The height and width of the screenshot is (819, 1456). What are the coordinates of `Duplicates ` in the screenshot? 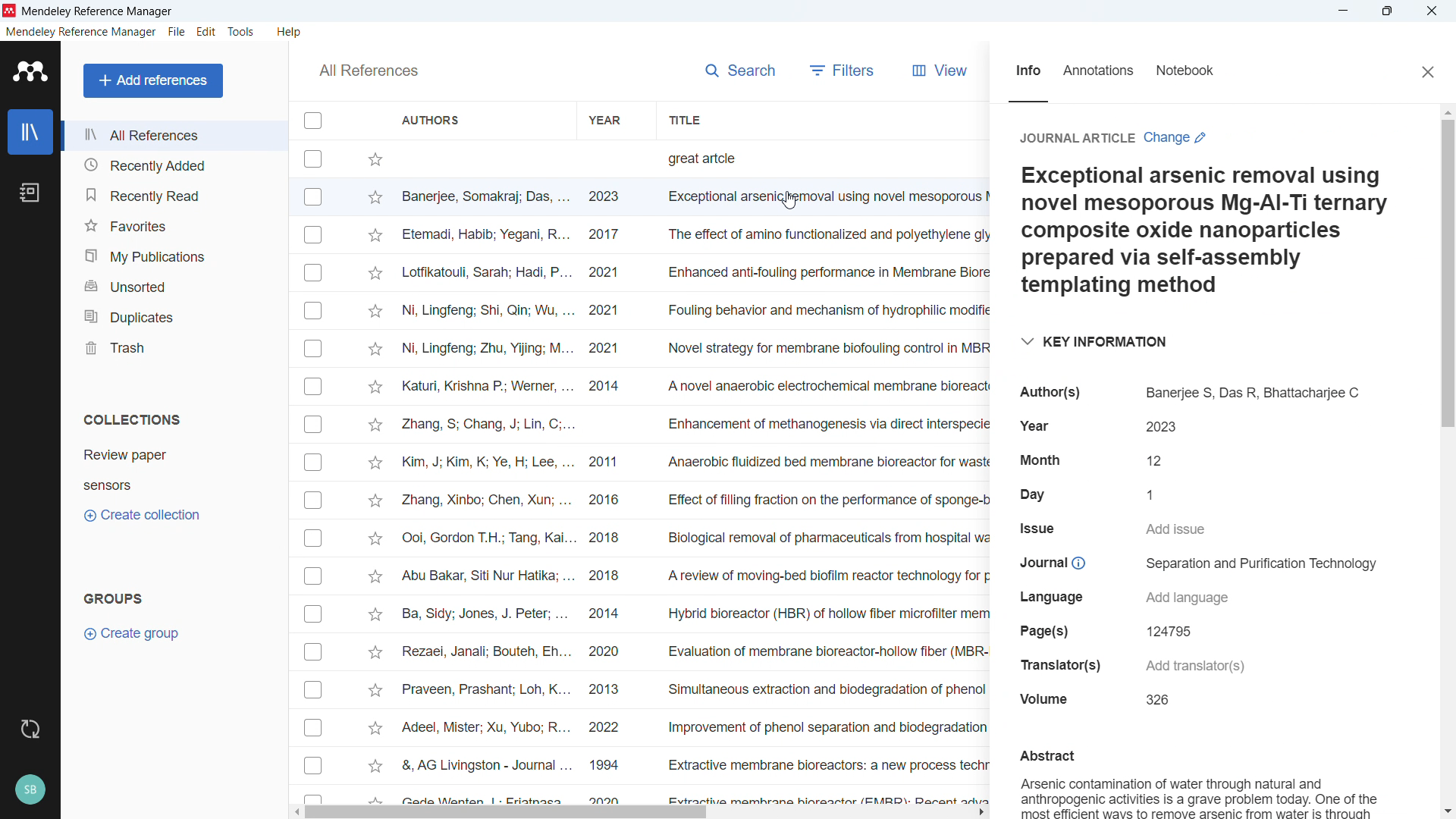 It's located at (174, 315).